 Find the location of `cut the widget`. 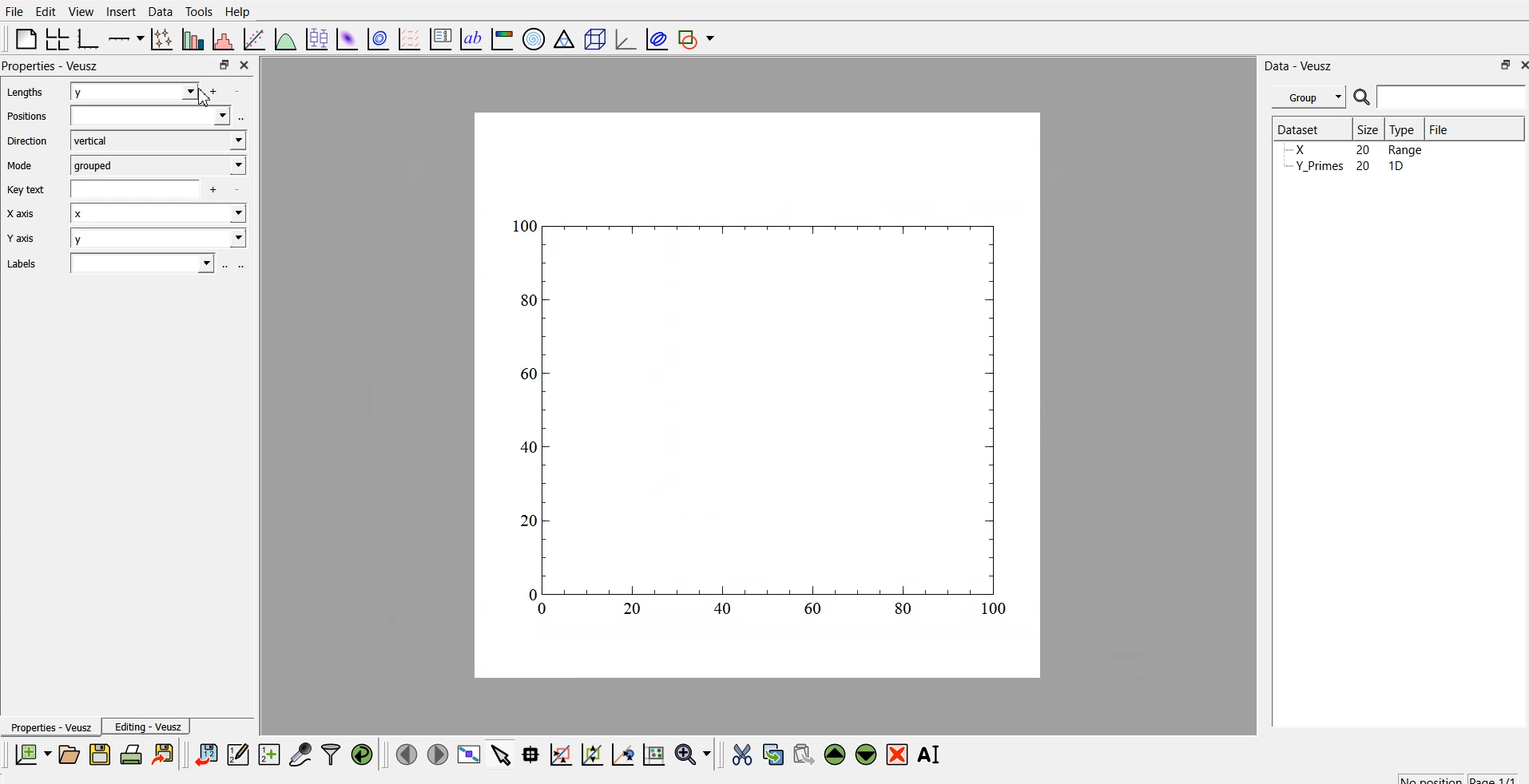

cut the widget is located at coordinates (738, 754).